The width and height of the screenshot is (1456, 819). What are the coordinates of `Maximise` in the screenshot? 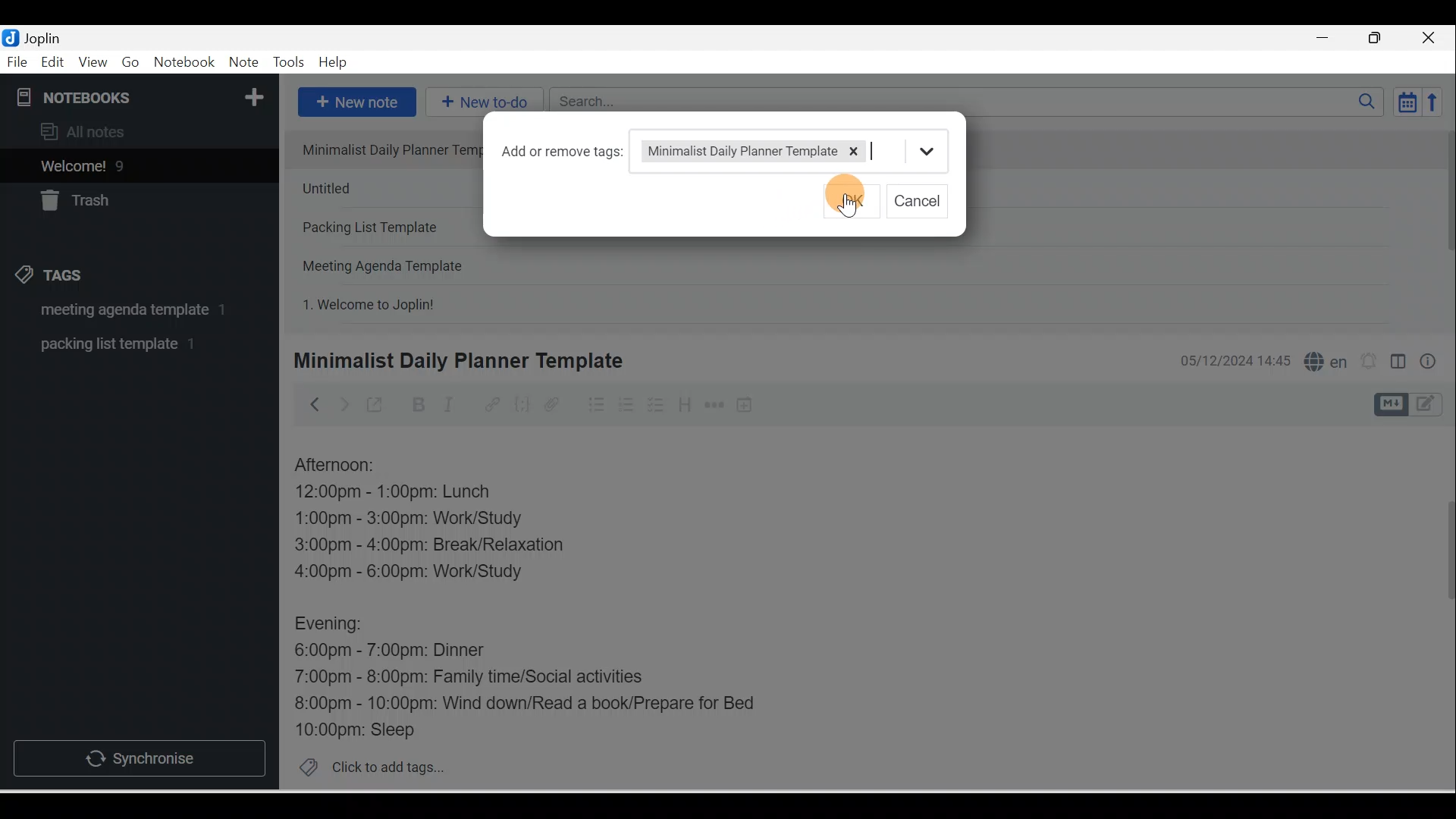 It's located at (1380, 39).